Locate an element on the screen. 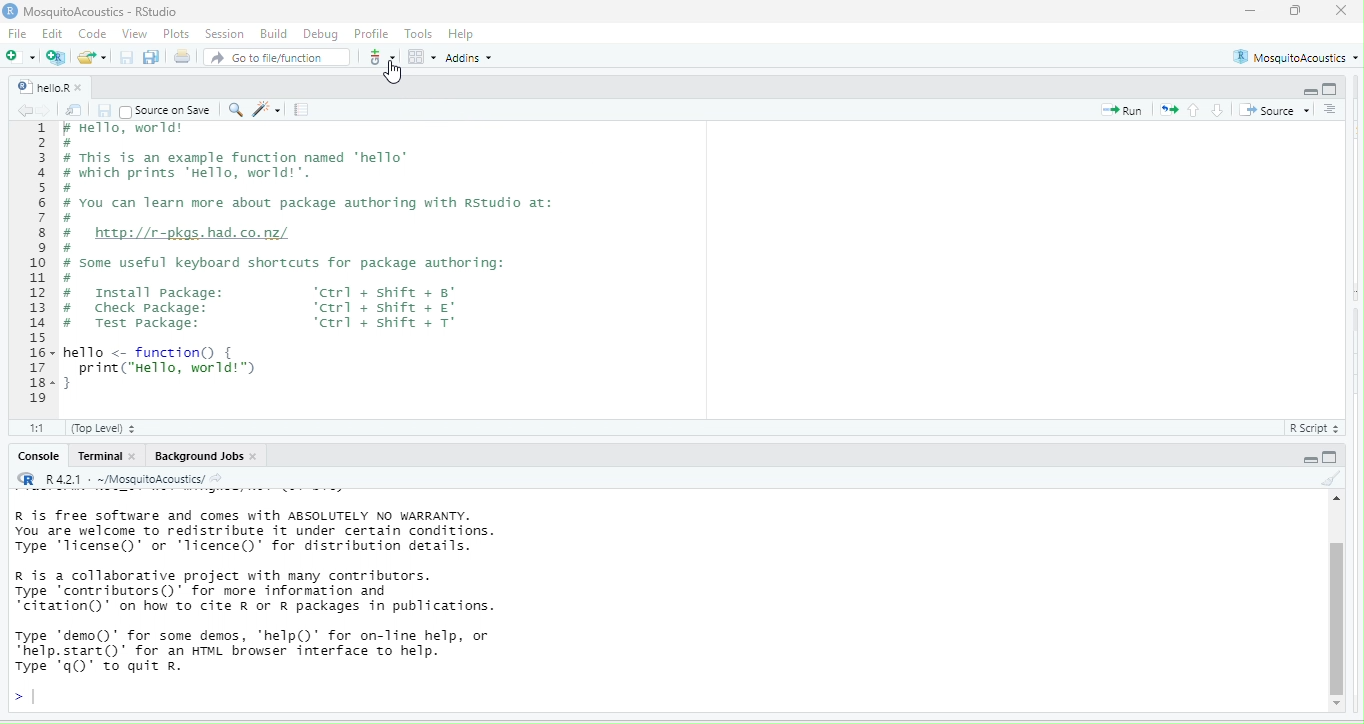 Image resolution: width=1364 pixels, height=724 pixels. r Hello, worid®
#
# This is an example function named "hello"
# which prints "Hello, world! ".
#
# You can learn more about package authoring with Rstudio at:
#
#  http://r-pkgs.had.co.nz/
#
# some useful keyboard shortcuts for package authoring:
#
# Install package: ‘ctrl + shift + 8°
# Check package: ‘ctrl + shift +
# Test package: ‘ctrl + shift + T°
hello <- function {
print("Hello, world!™)
} is located at coordinates (347, 258).